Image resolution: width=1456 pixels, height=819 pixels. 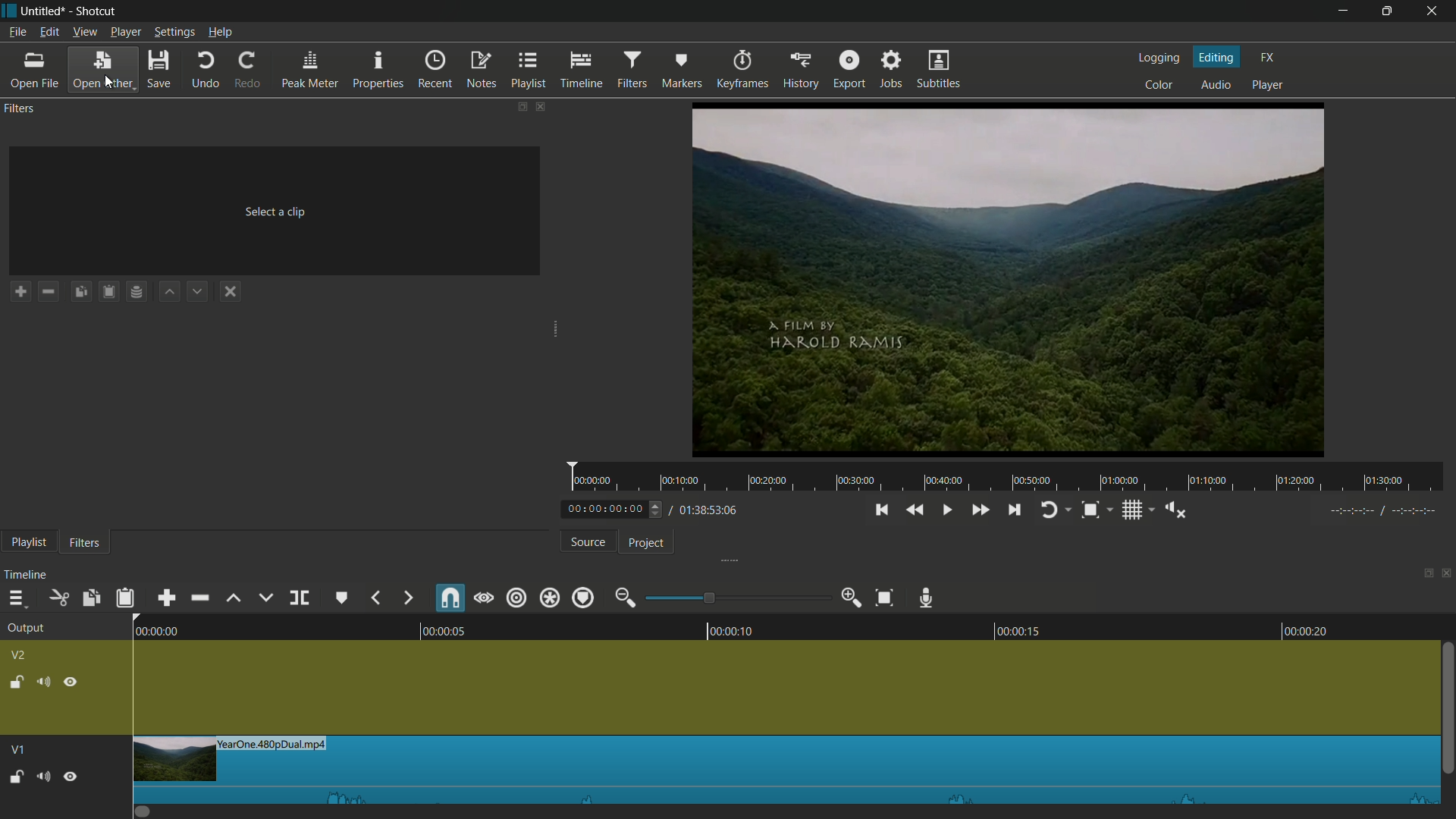 I want to click on recent, so click(x=436, y=71).